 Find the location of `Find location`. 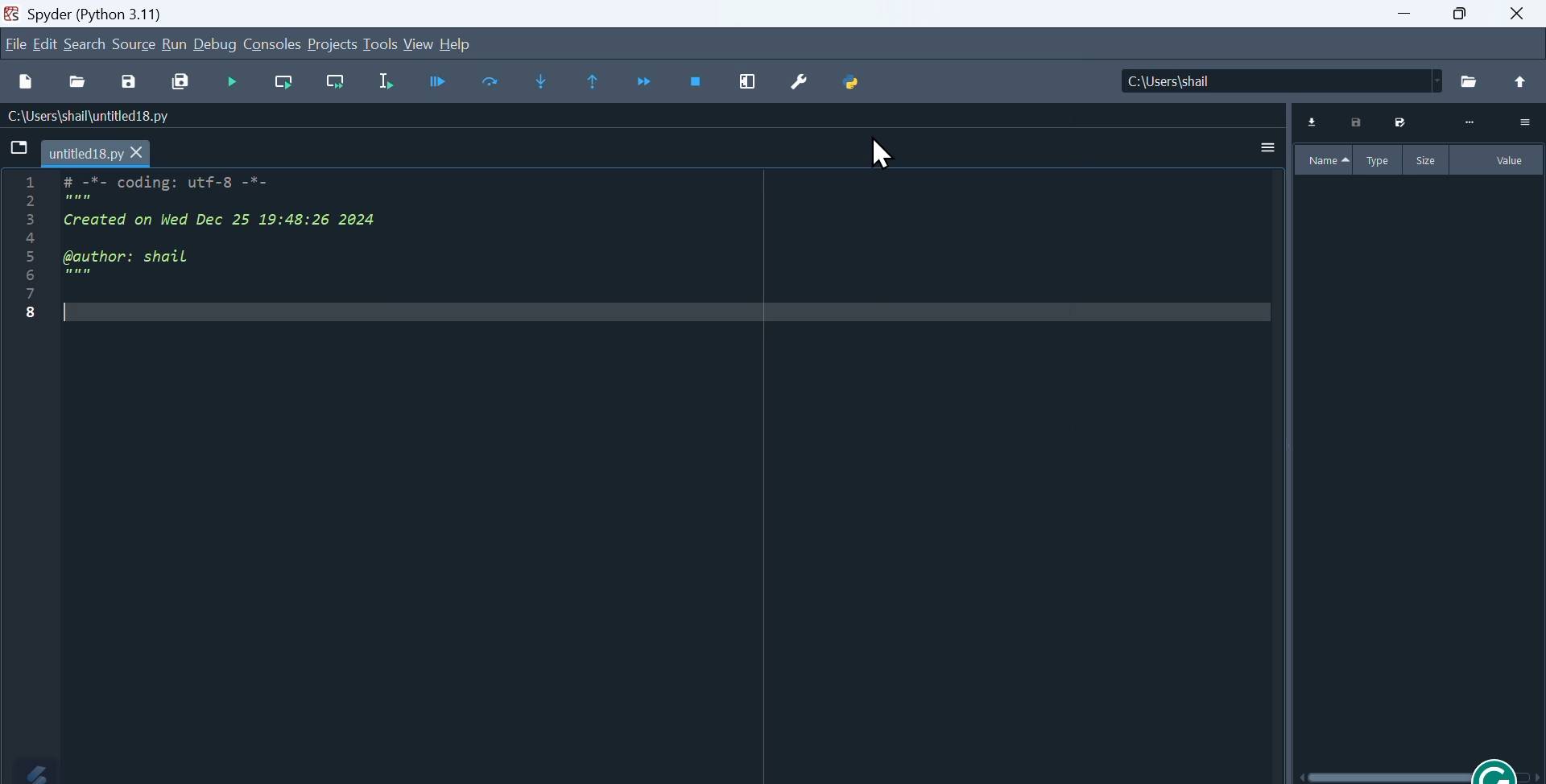

Find location is located at coordinates (1266, 82).